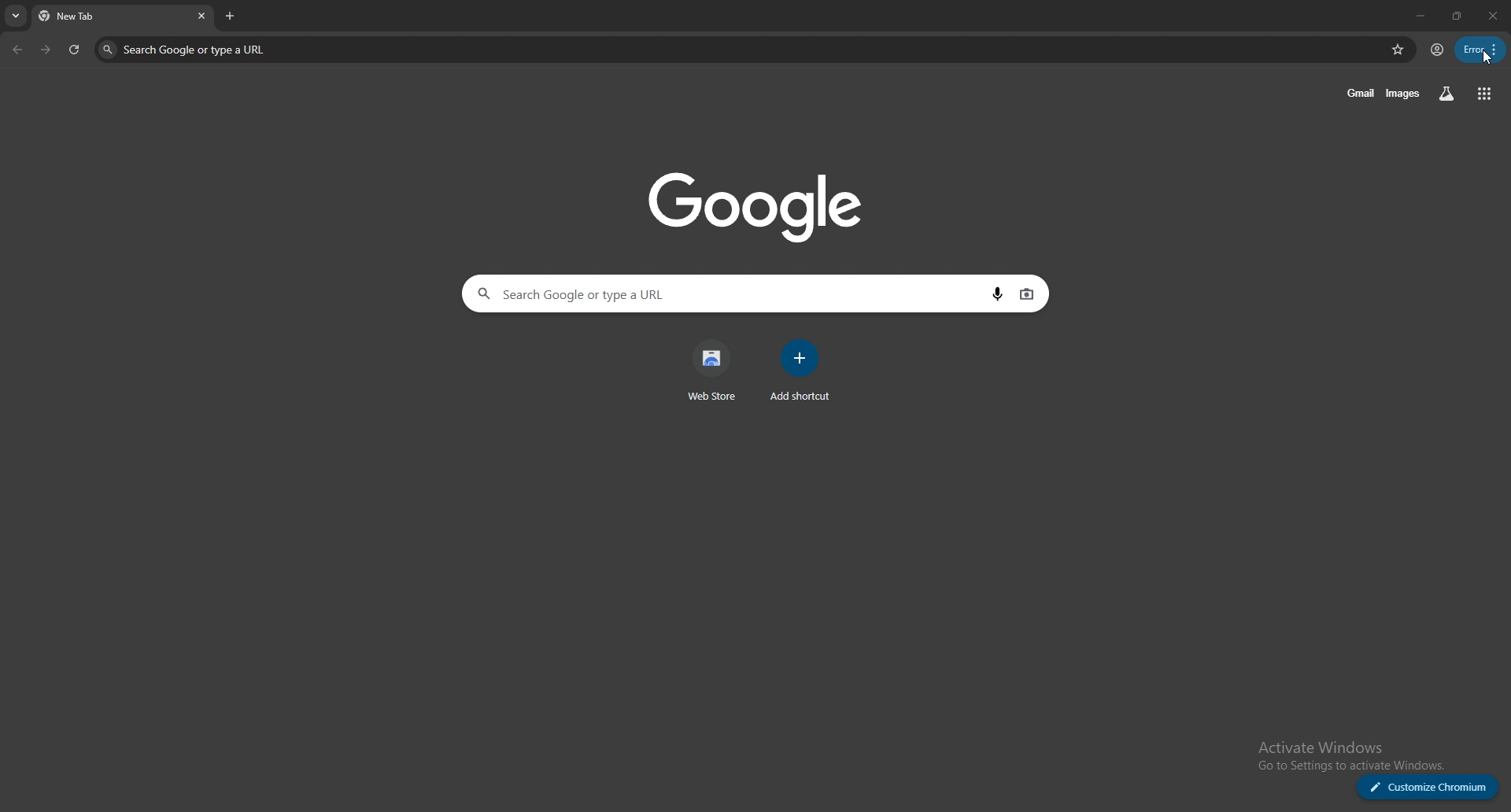 Image resolution: width=1511 pixels, height=812 pixels. I want to click on google.com, so click(754, 202).